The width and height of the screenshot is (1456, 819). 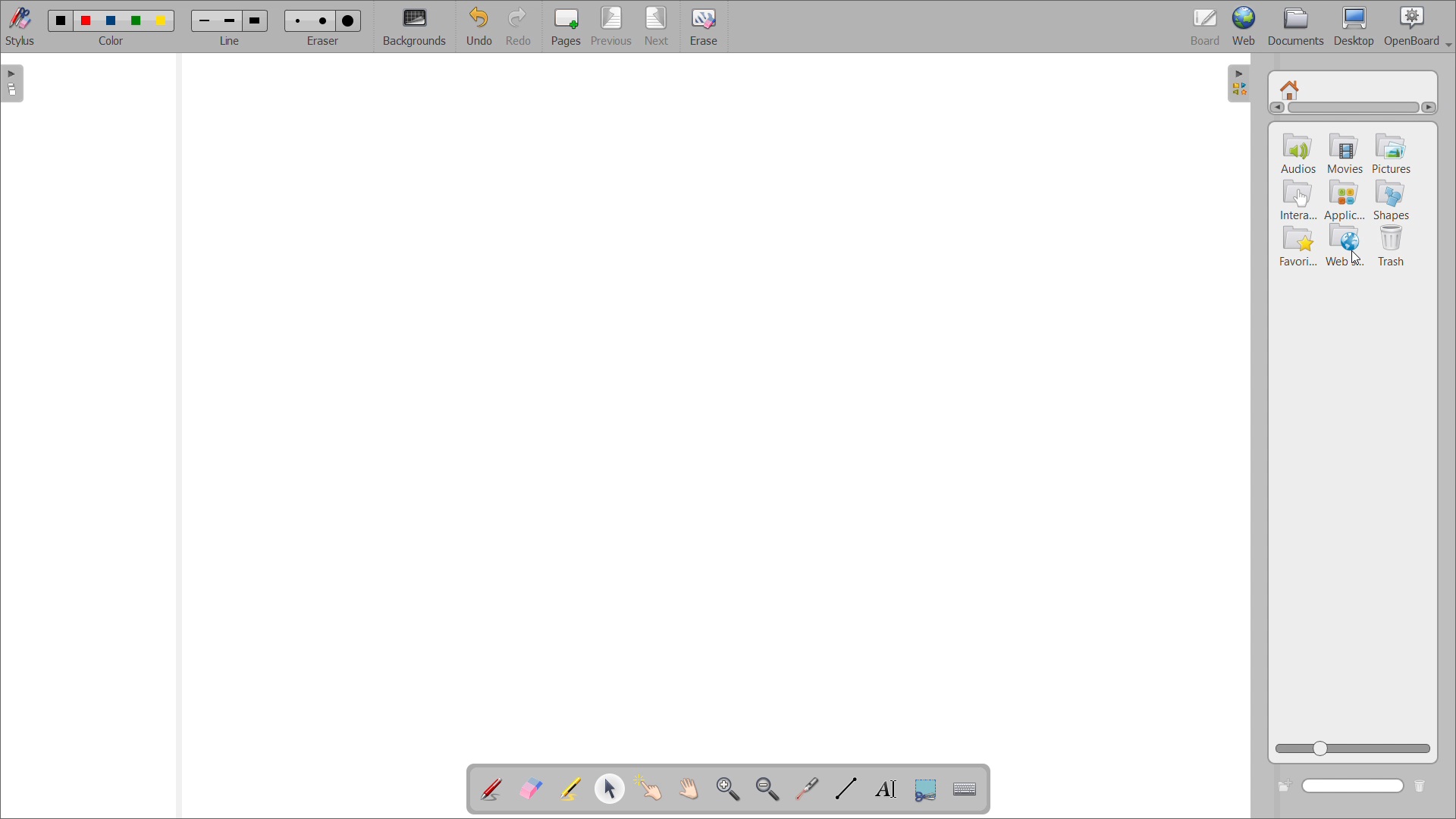 What do you see at coordinates (1299, 199) in the screenshot?
I see `interactivities` at bounding box center [1299, 199].